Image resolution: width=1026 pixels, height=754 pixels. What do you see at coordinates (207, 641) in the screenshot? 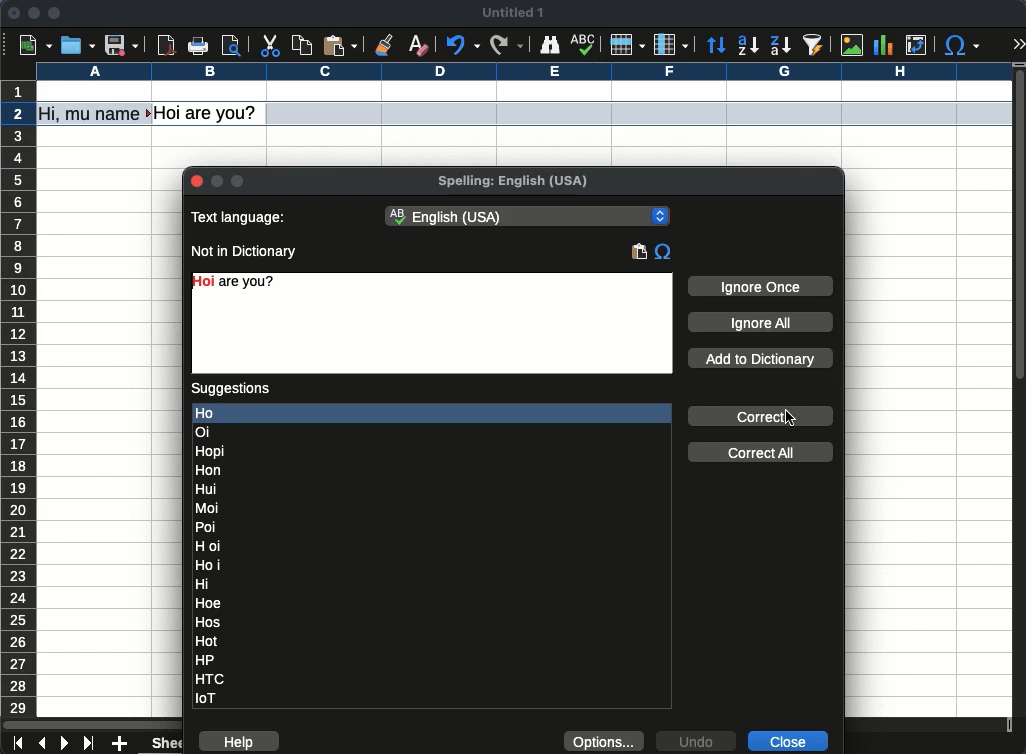
I see `Hot` at bounding box center [207, 641].